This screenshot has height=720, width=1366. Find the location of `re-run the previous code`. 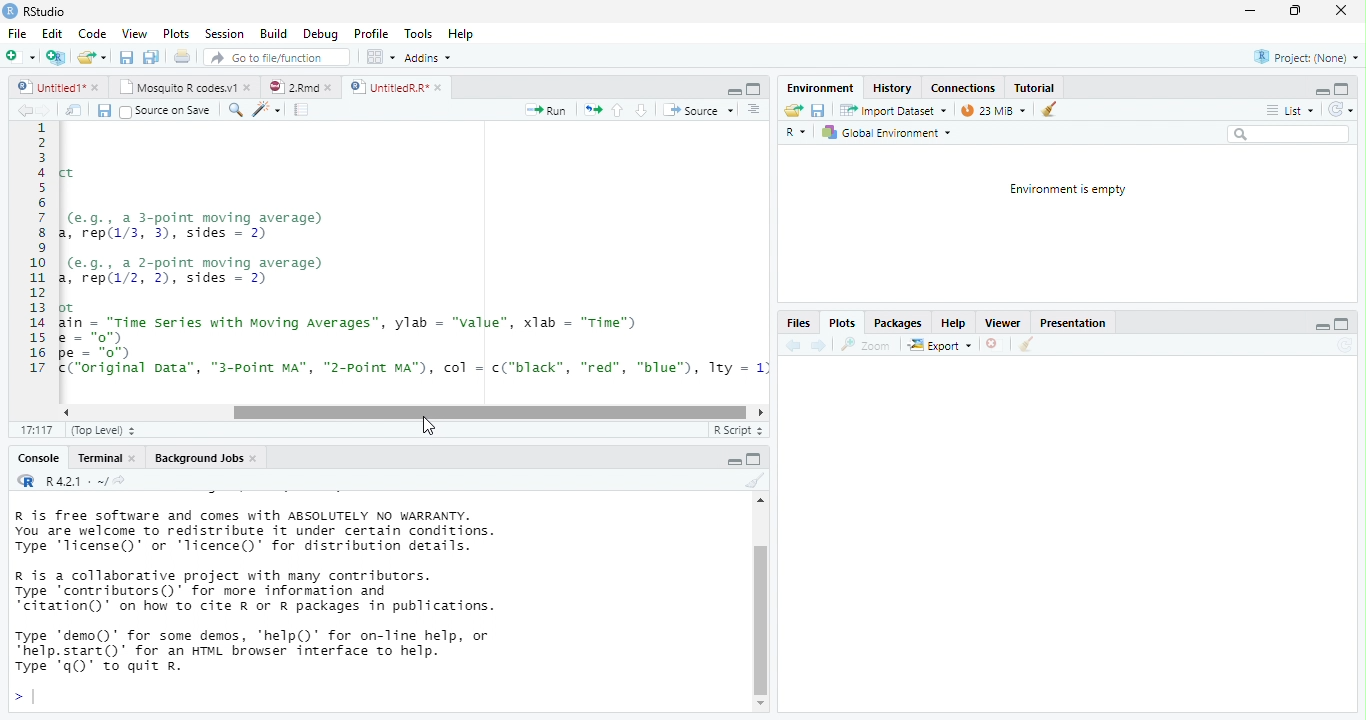

re-run the previous code is located at coordinates (593, 110).